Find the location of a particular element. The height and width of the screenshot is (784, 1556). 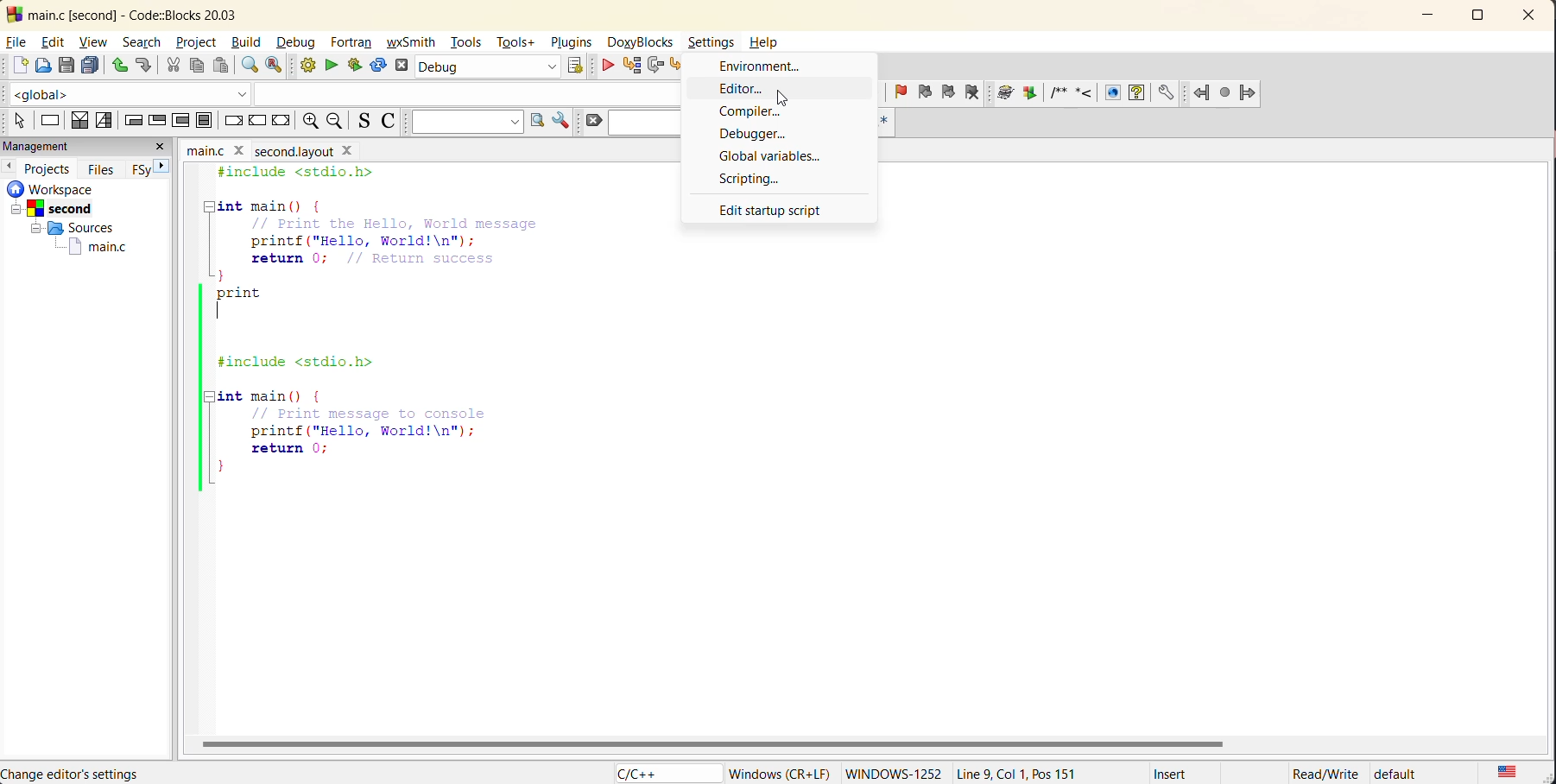

Second is located at coordinates (67, 206).